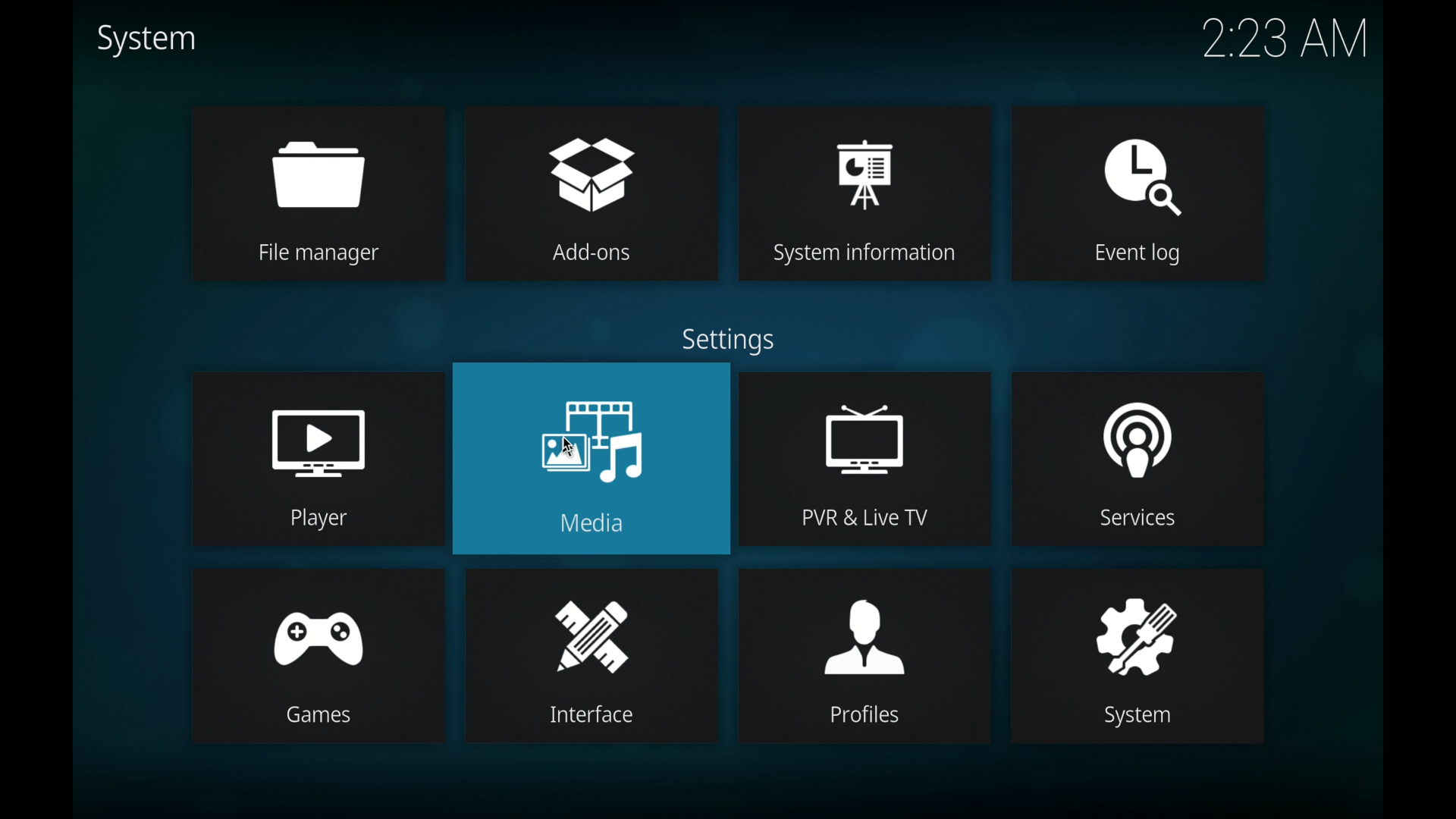  I want to click on Profiles, so click(868, 718).